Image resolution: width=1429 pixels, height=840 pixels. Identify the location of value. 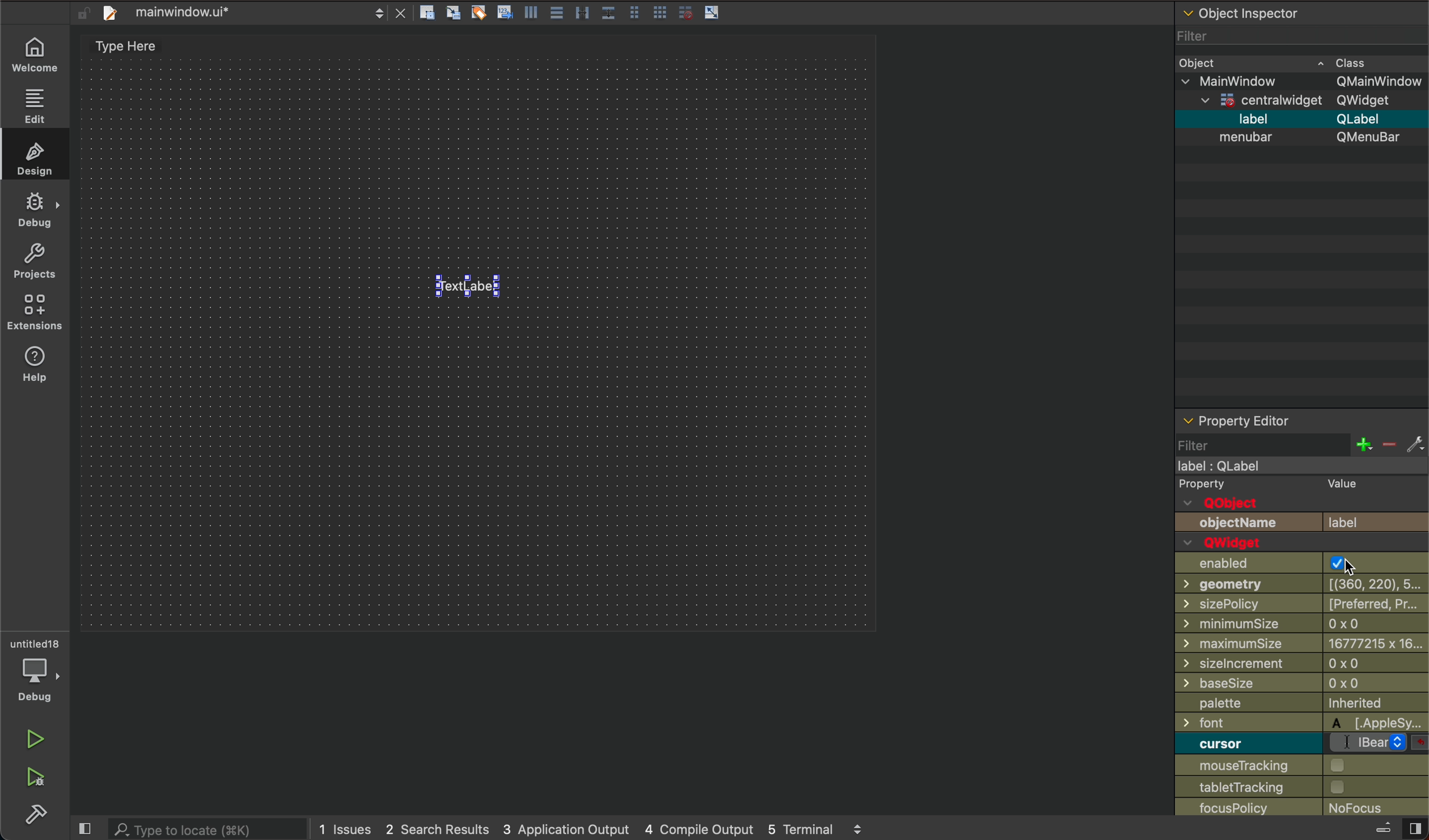
(1352, 484).